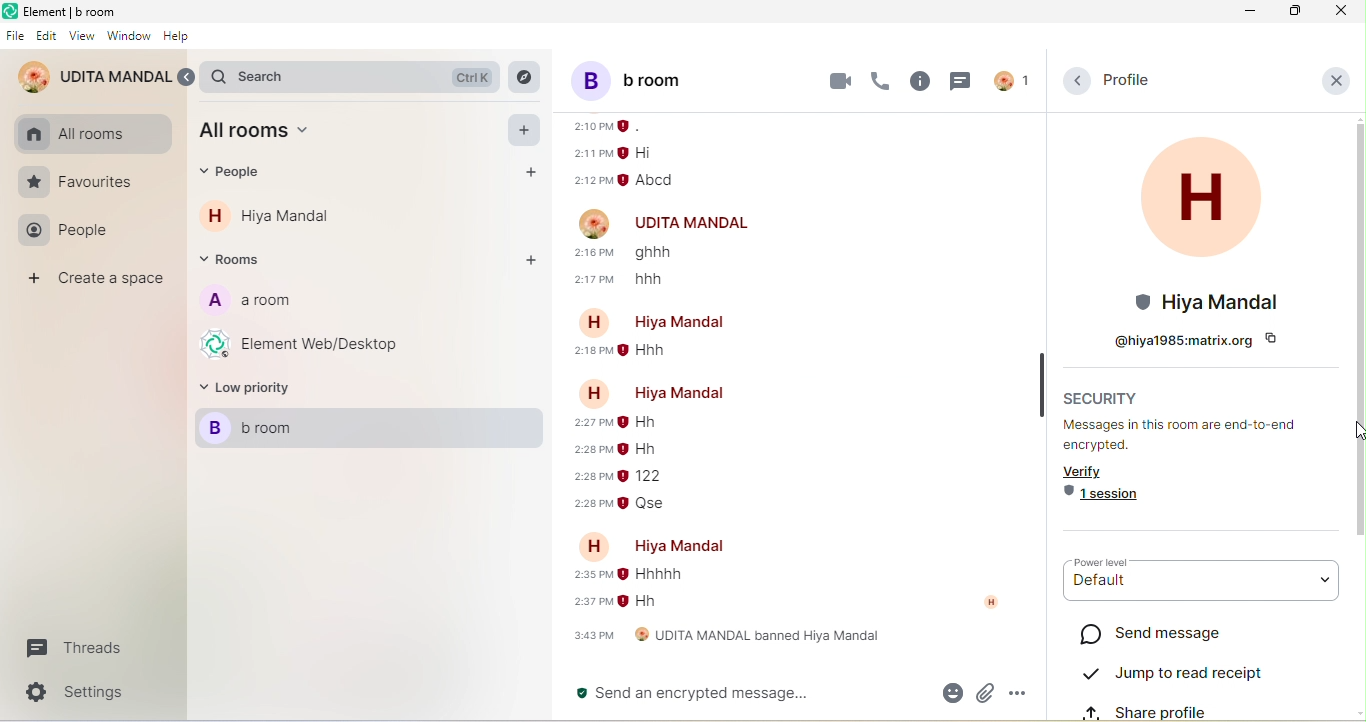  I want to click on @hiya1985:matrix.org, so click(1190, 338).